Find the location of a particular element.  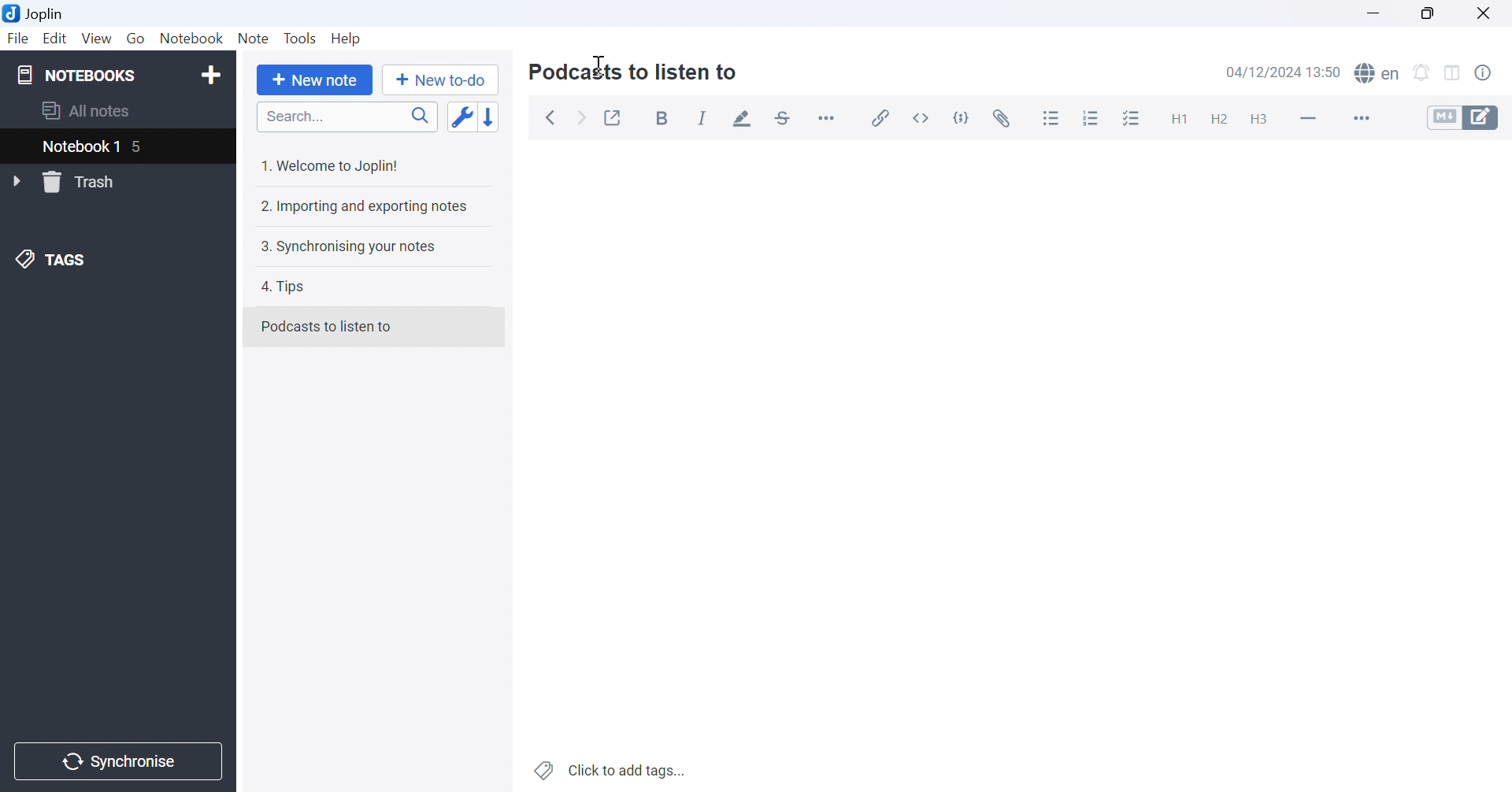

Cursor is located at coordinates (601, 67).